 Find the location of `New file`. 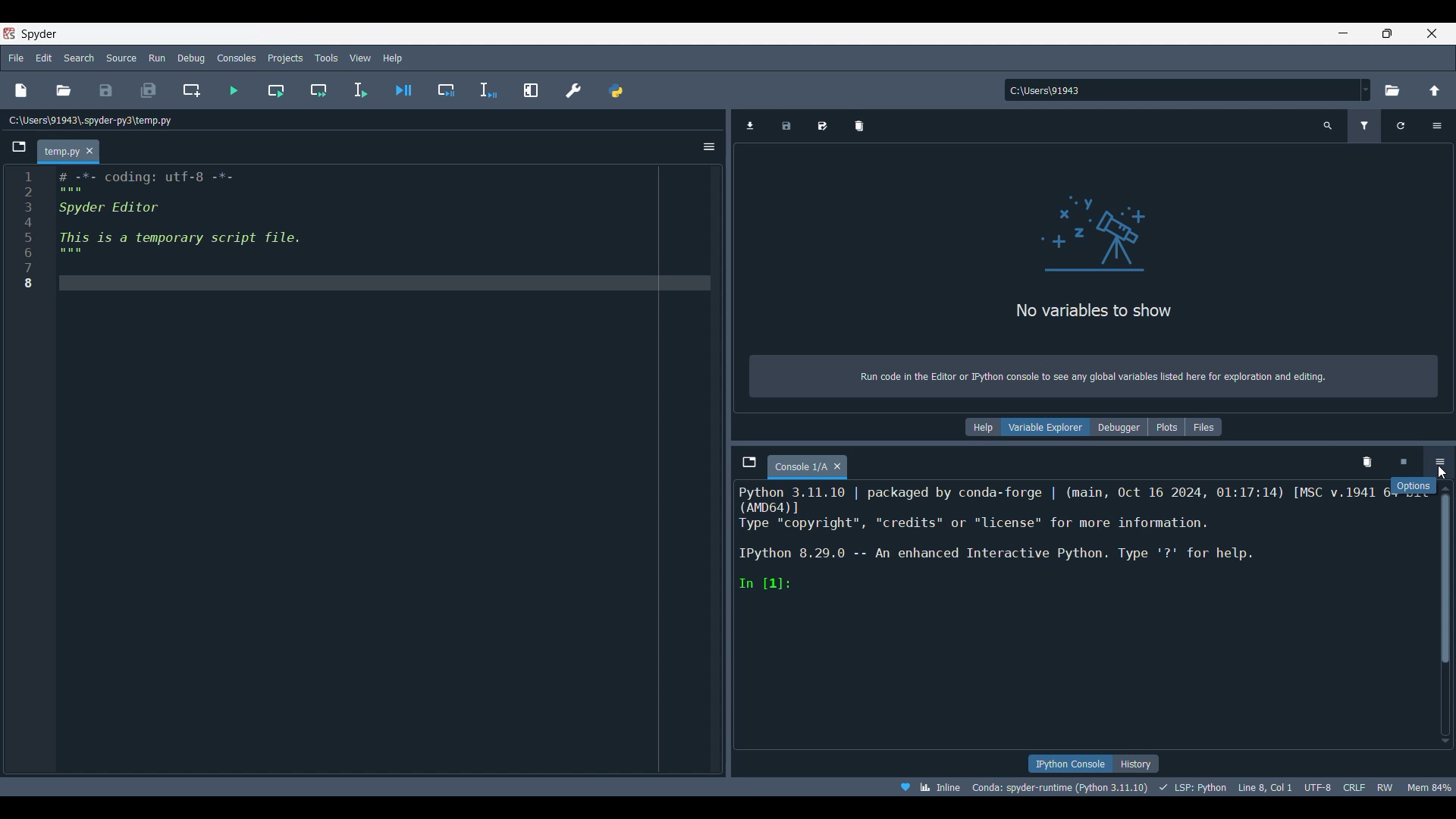

New file is located at coordinates (21, 90).